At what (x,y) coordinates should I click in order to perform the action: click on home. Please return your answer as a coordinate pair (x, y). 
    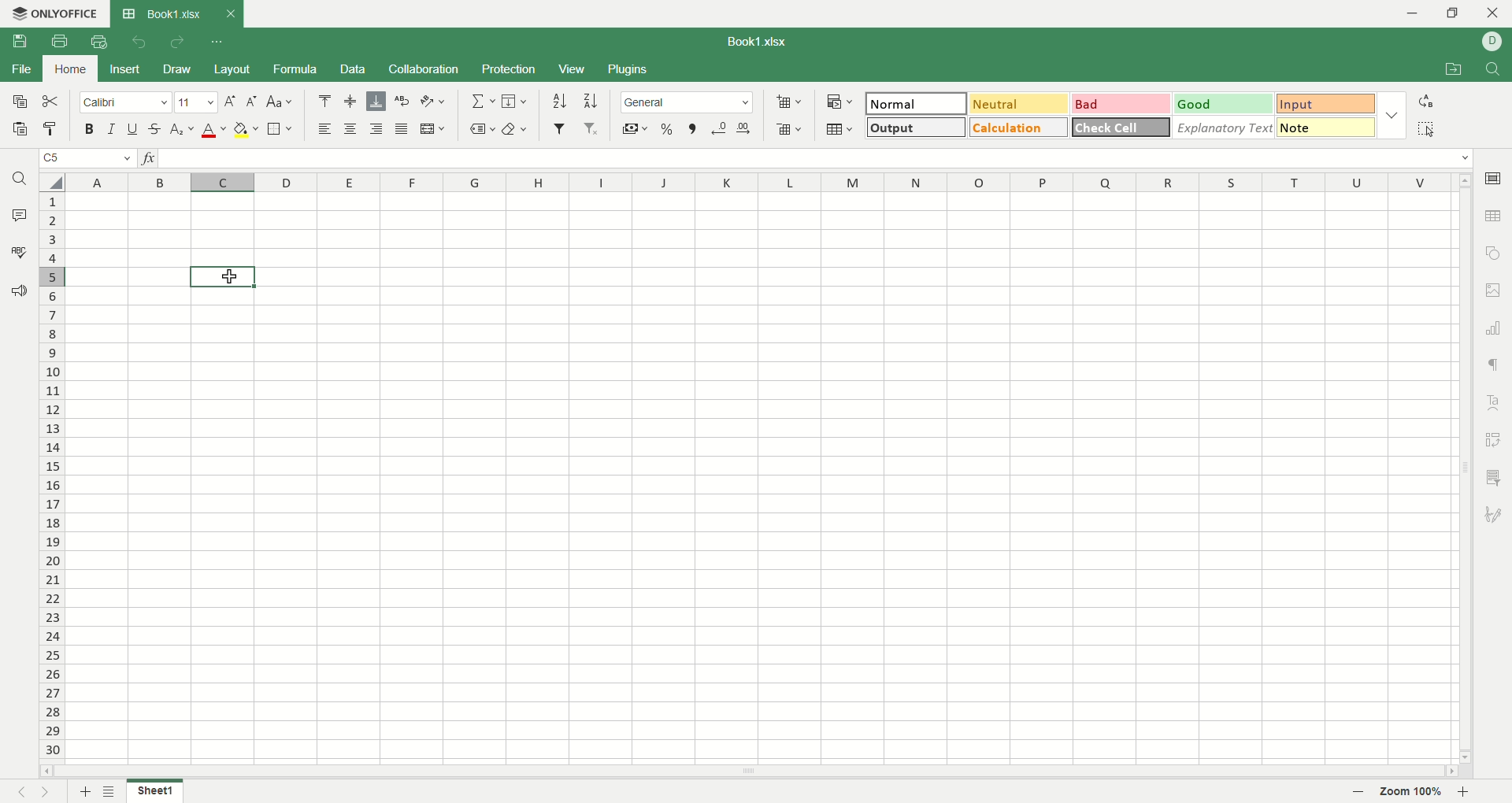
    Looking at the image, I should click on (72, 68).